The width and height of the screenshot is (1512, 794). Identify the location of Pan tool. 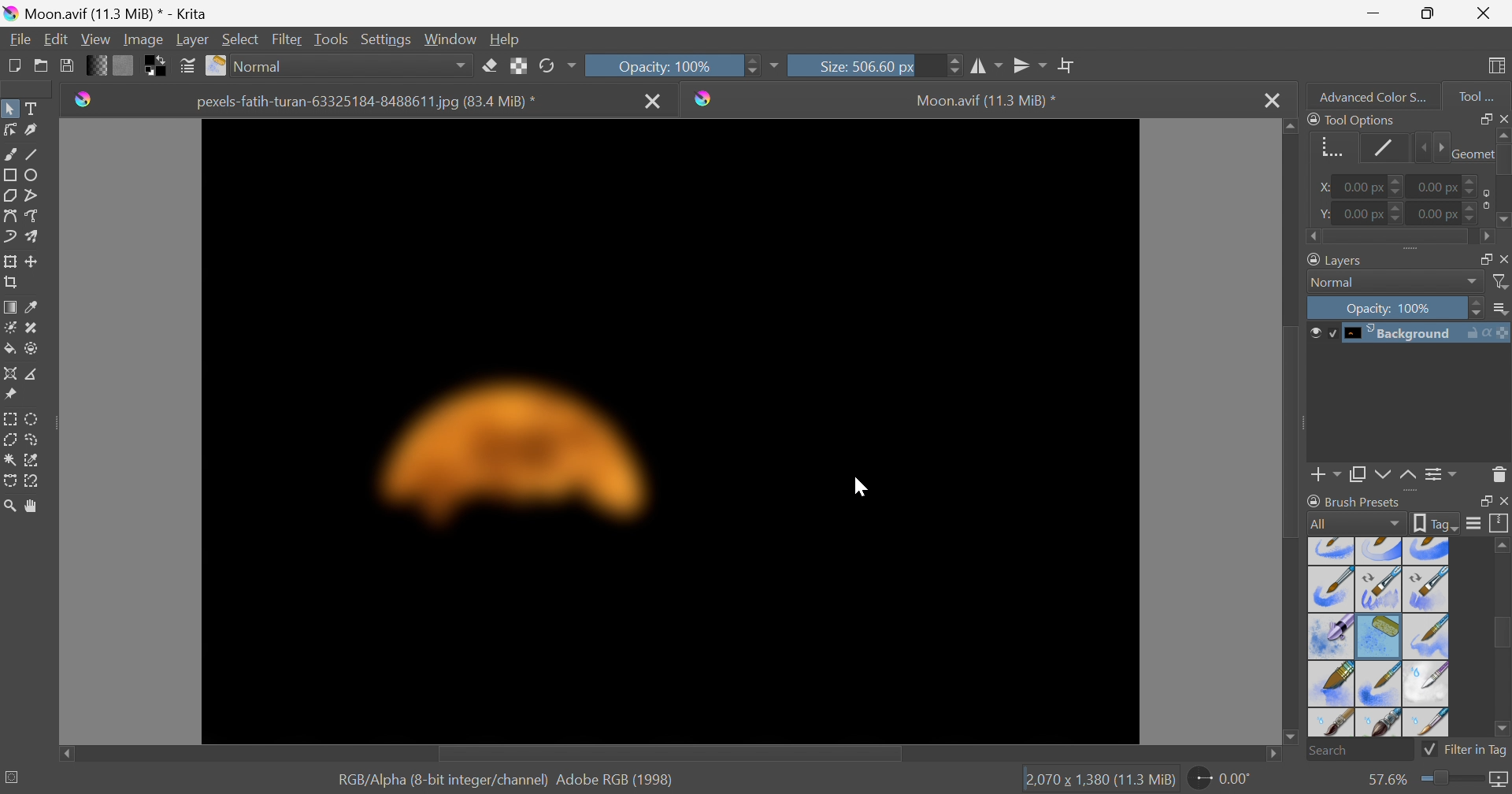
(35, 506).